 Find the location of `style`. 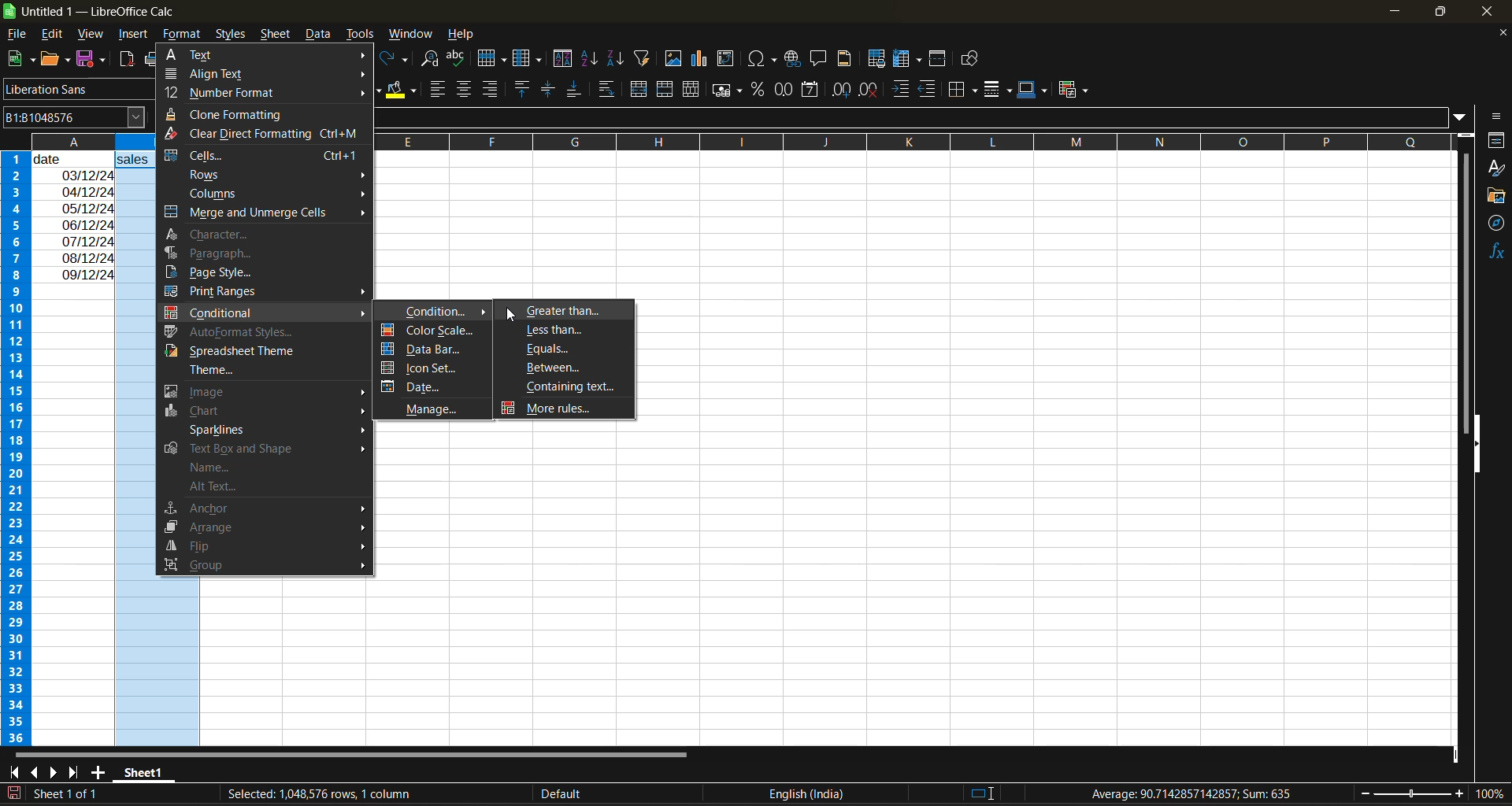

style is located at coordinates (1497, 168).